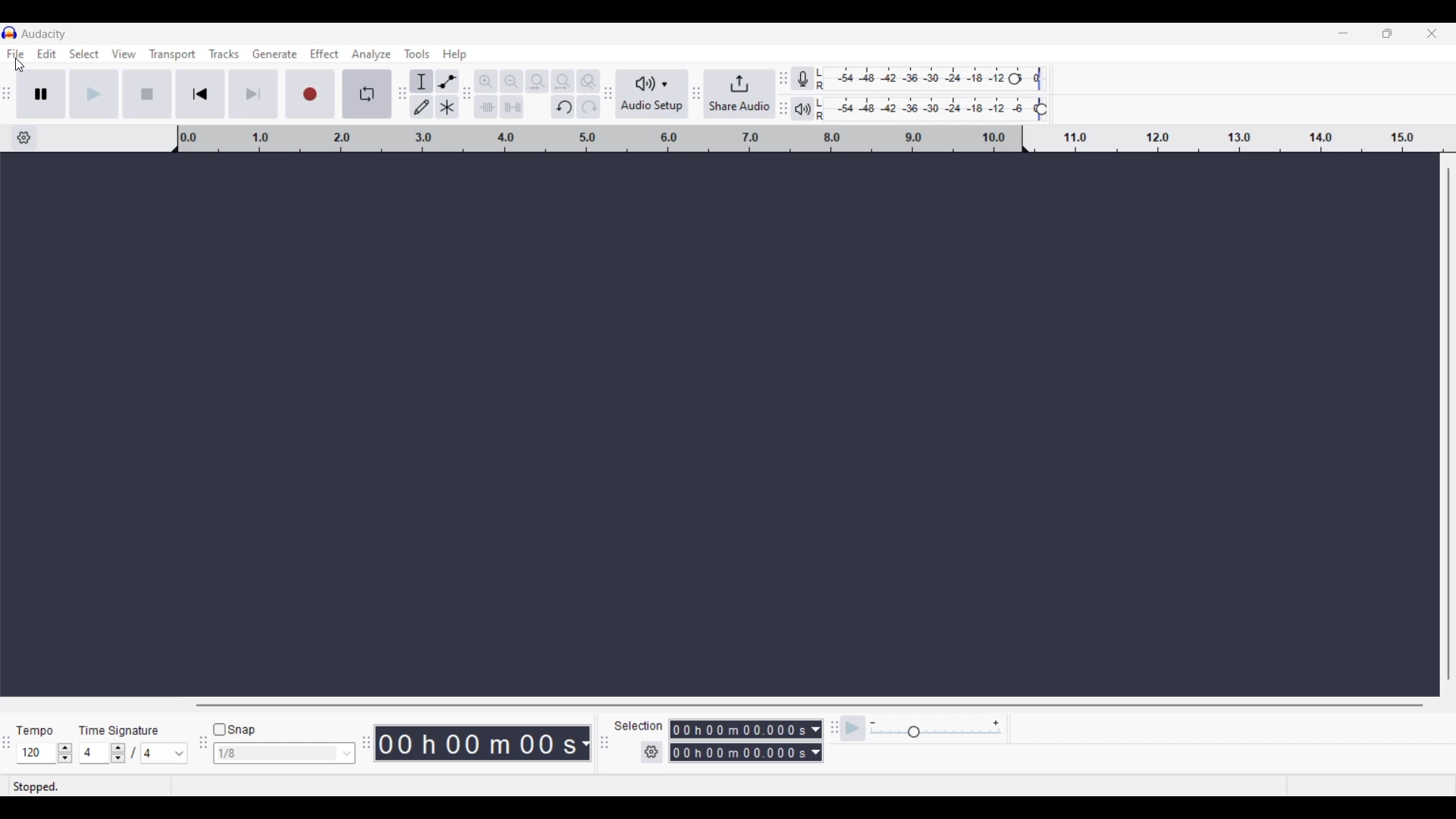 The image size is (1456, 819). What do you see at coordinates (47, 53) in the screenshot?
I see `Edit menu` at bounding box center [47, 53].